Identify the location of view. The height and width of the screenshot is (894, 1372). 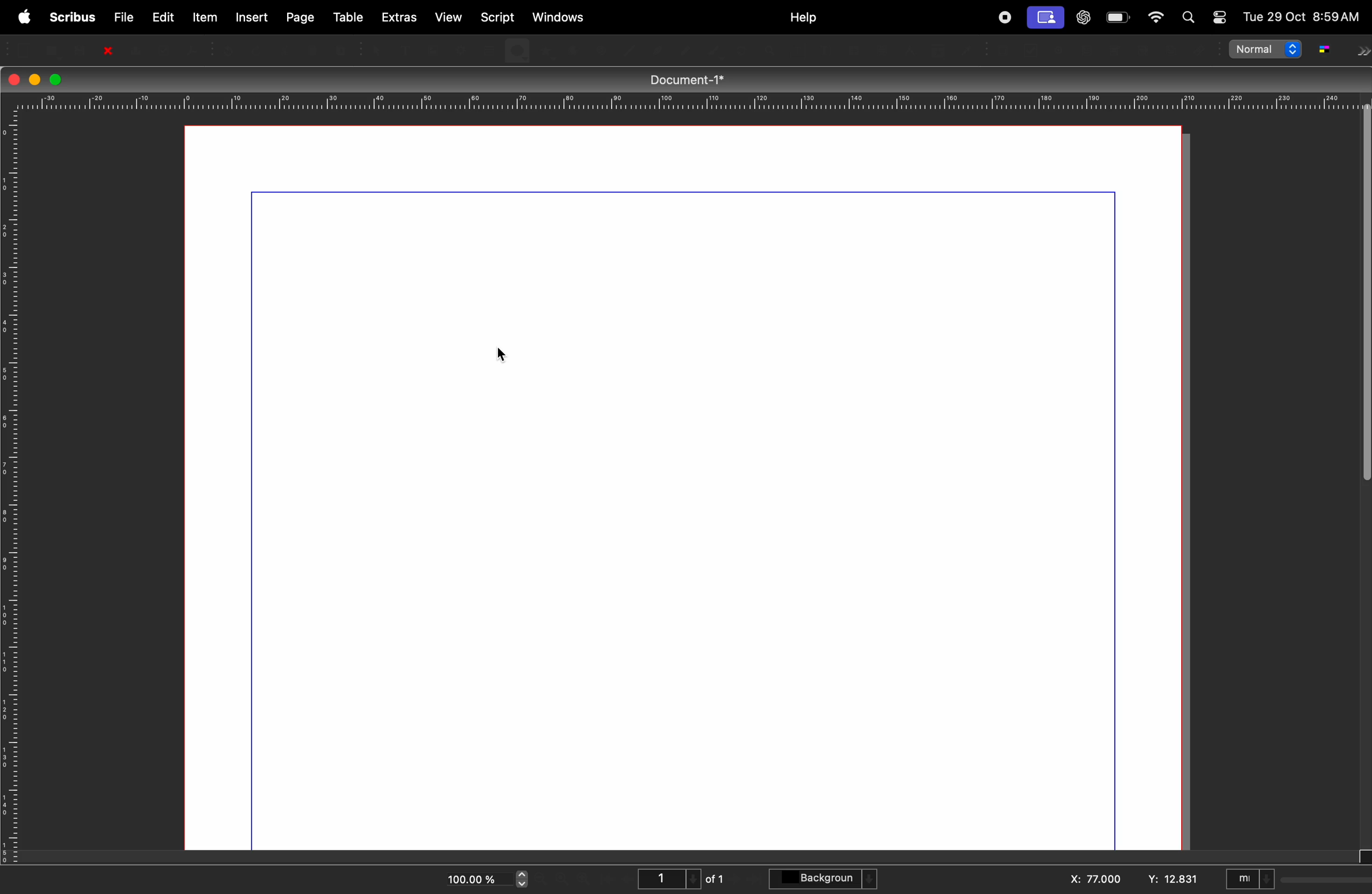
(451, 18).